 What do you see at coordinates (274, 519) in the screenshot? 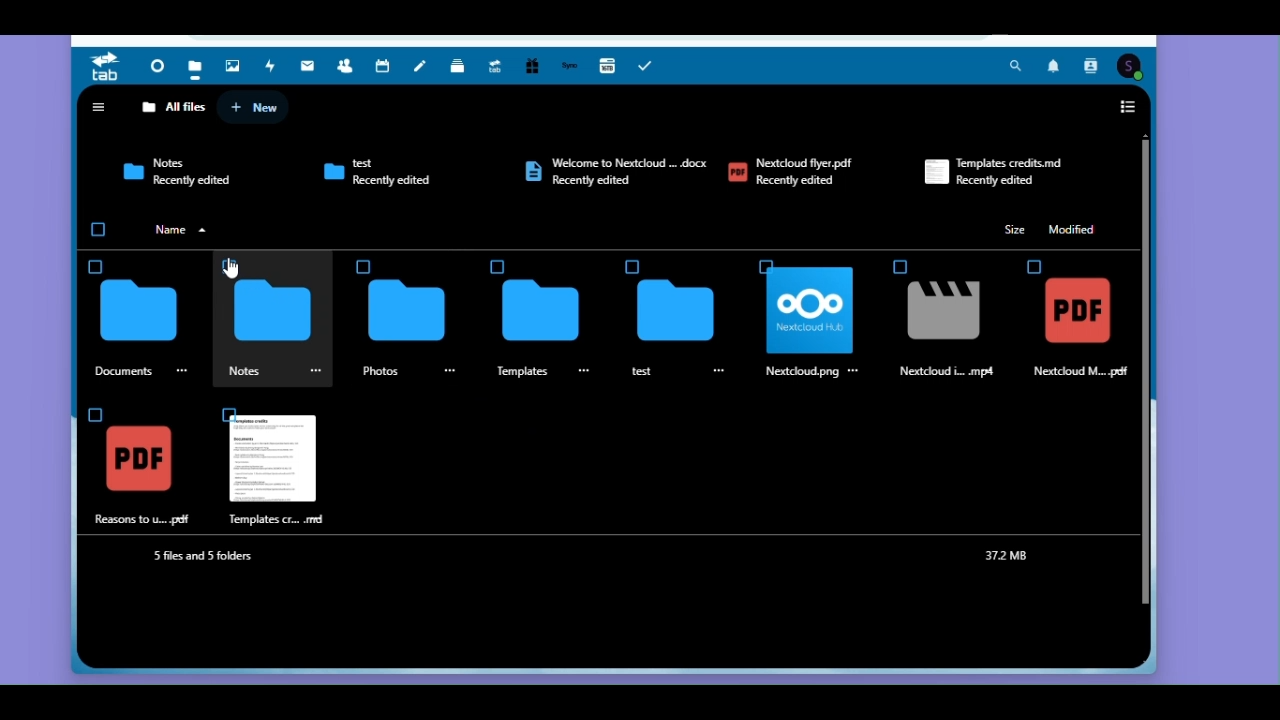
I see `Templates cr... md` at bounding box center [274, 519].